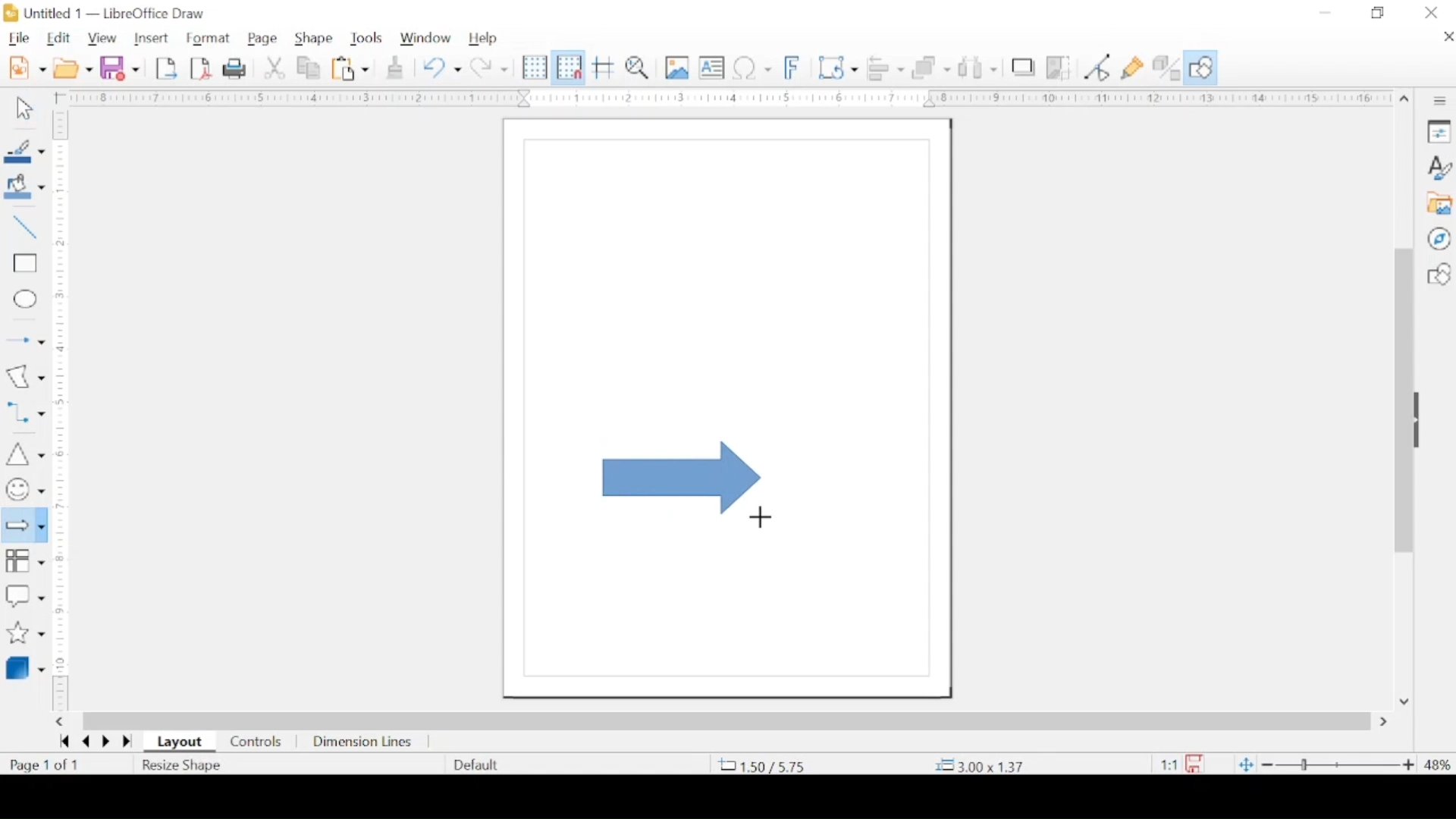 This screenshot has height=819, width=1456. I want to click on zoom slider, so click(1338, 765).